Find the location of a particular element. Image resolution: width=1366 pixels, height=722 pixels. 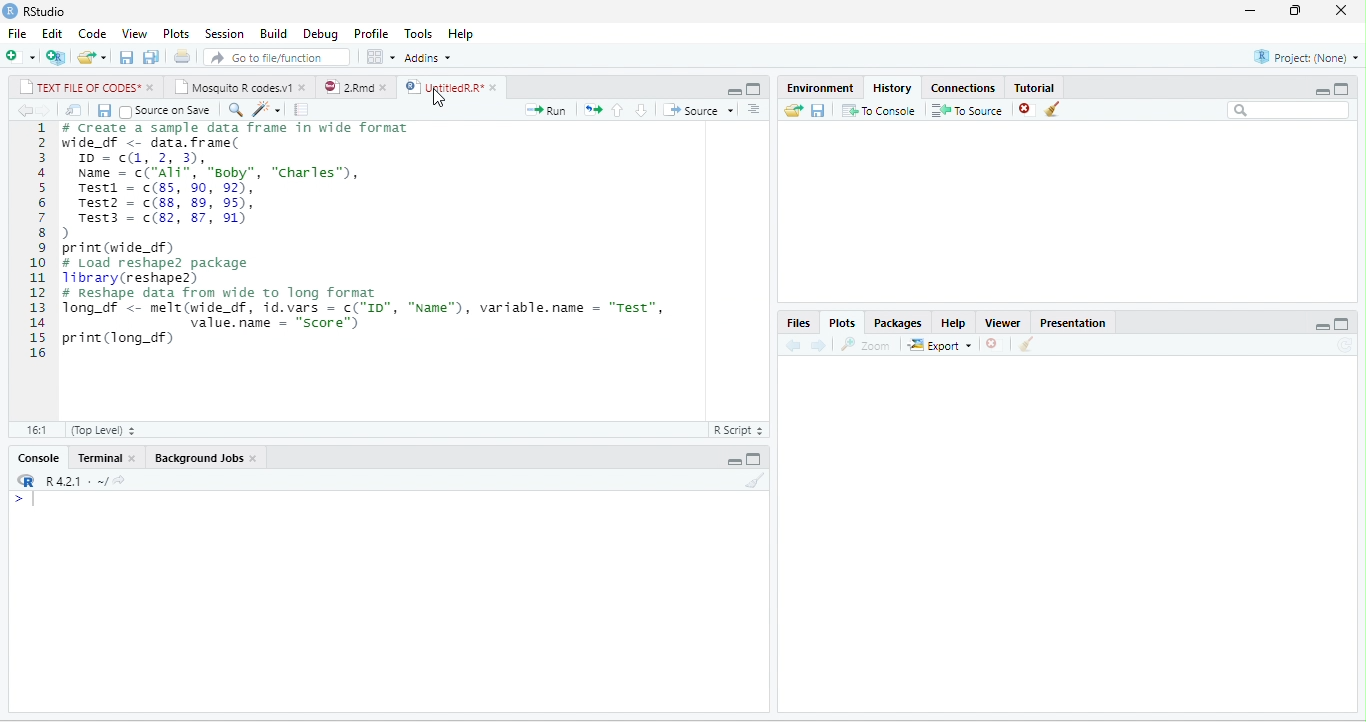

TEXT FILE OF CODES is located at coordinates (79, 86).